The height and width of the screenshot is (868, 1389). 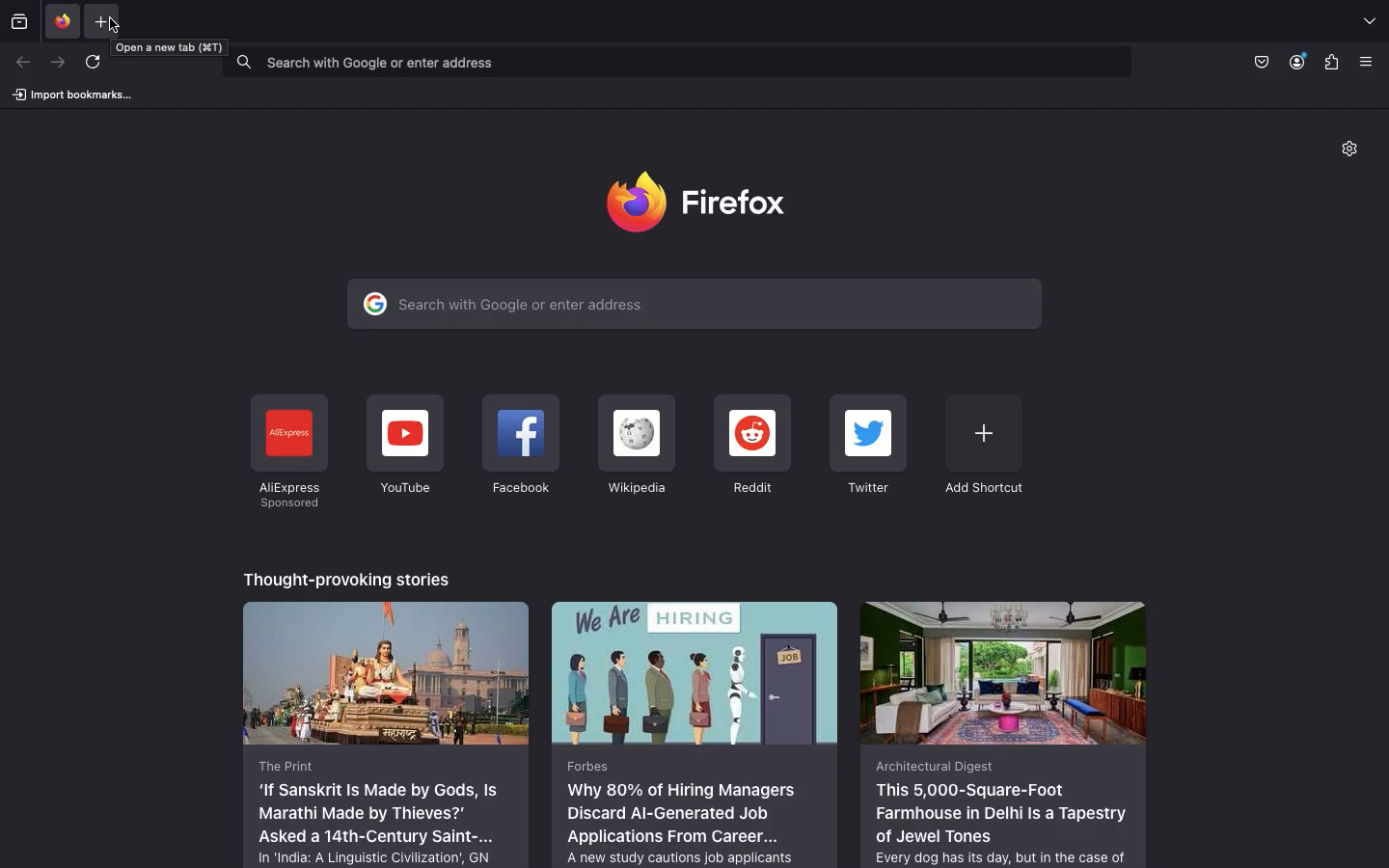 I want to click on List all tabs, so click(x=1369, y=22).